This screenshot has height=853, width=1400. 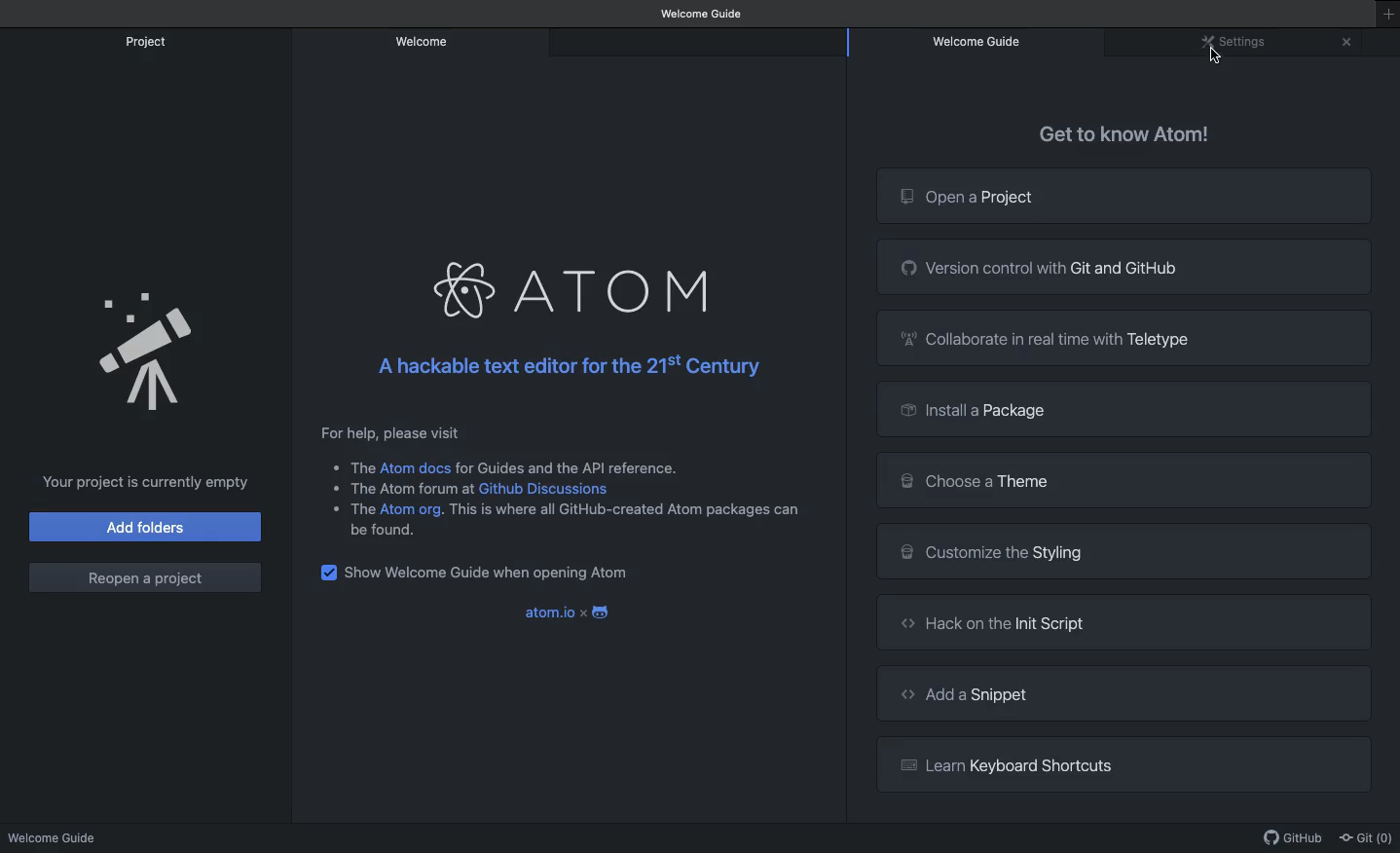 I want to click on be found., so click(x=388, y=534).